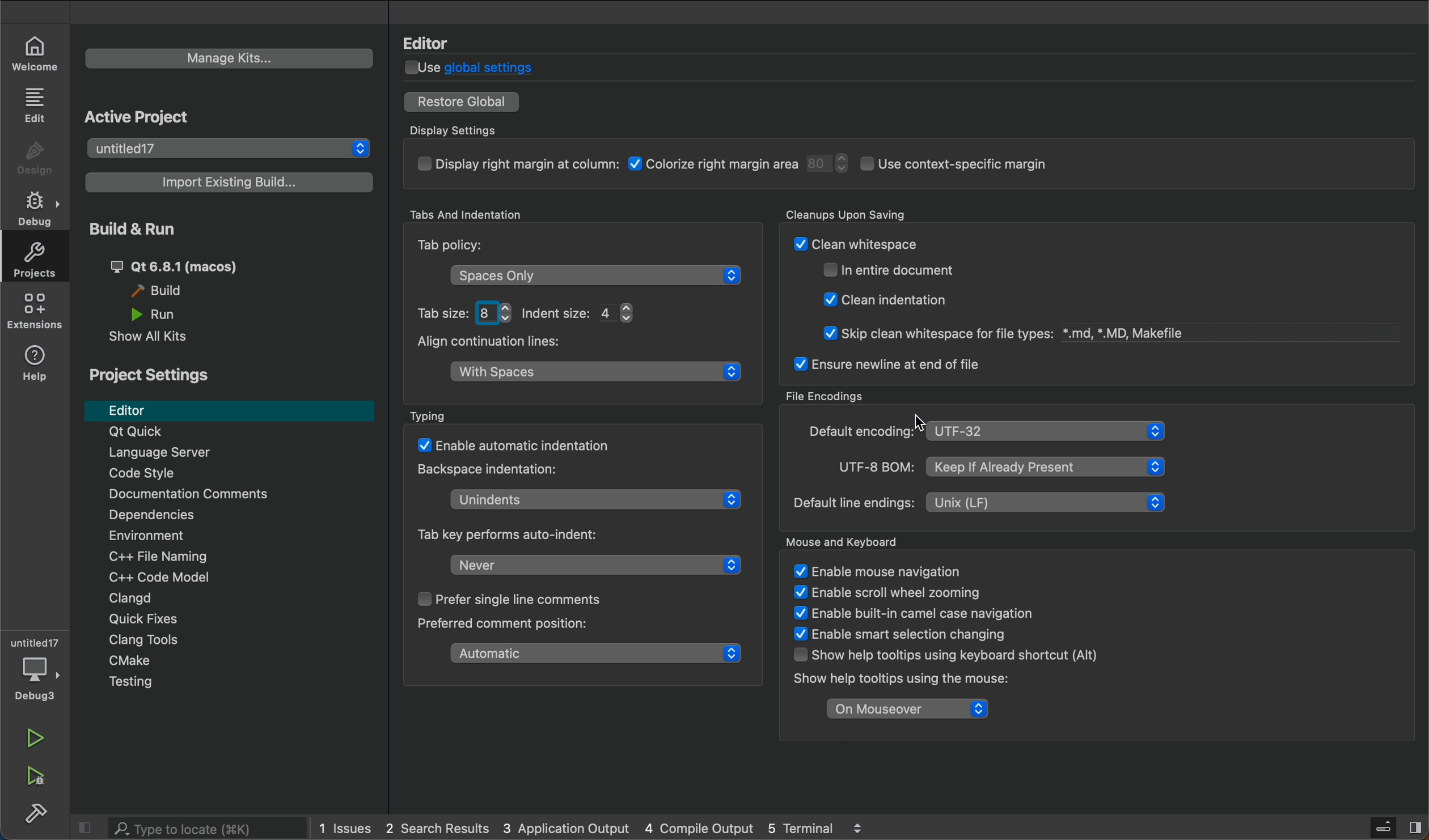 Image resolution: width=1429 pixels, height=840 pixels. I want to click on Qt Quick, so click(226, 432).